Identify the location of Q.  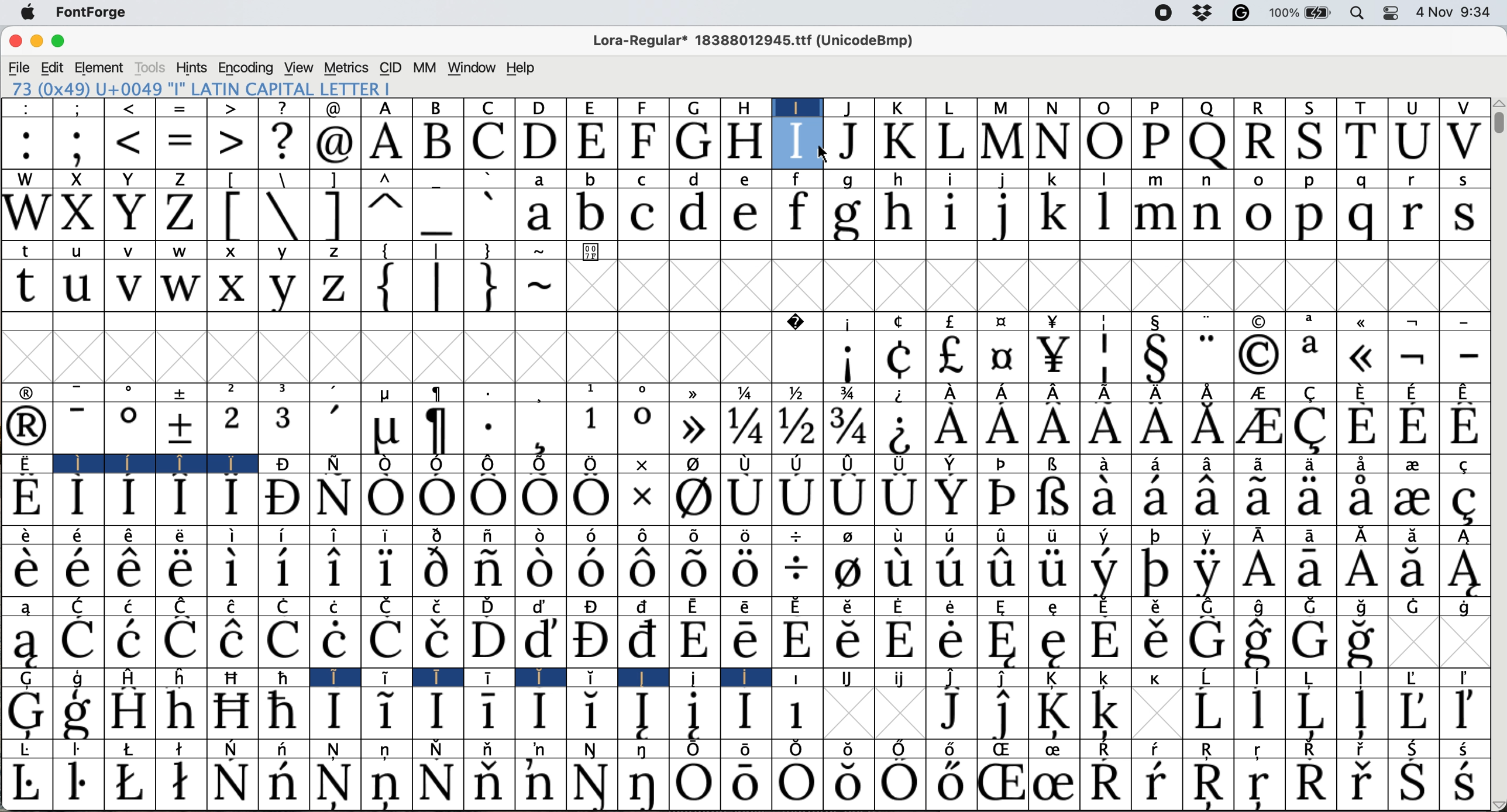
(1209, 144).